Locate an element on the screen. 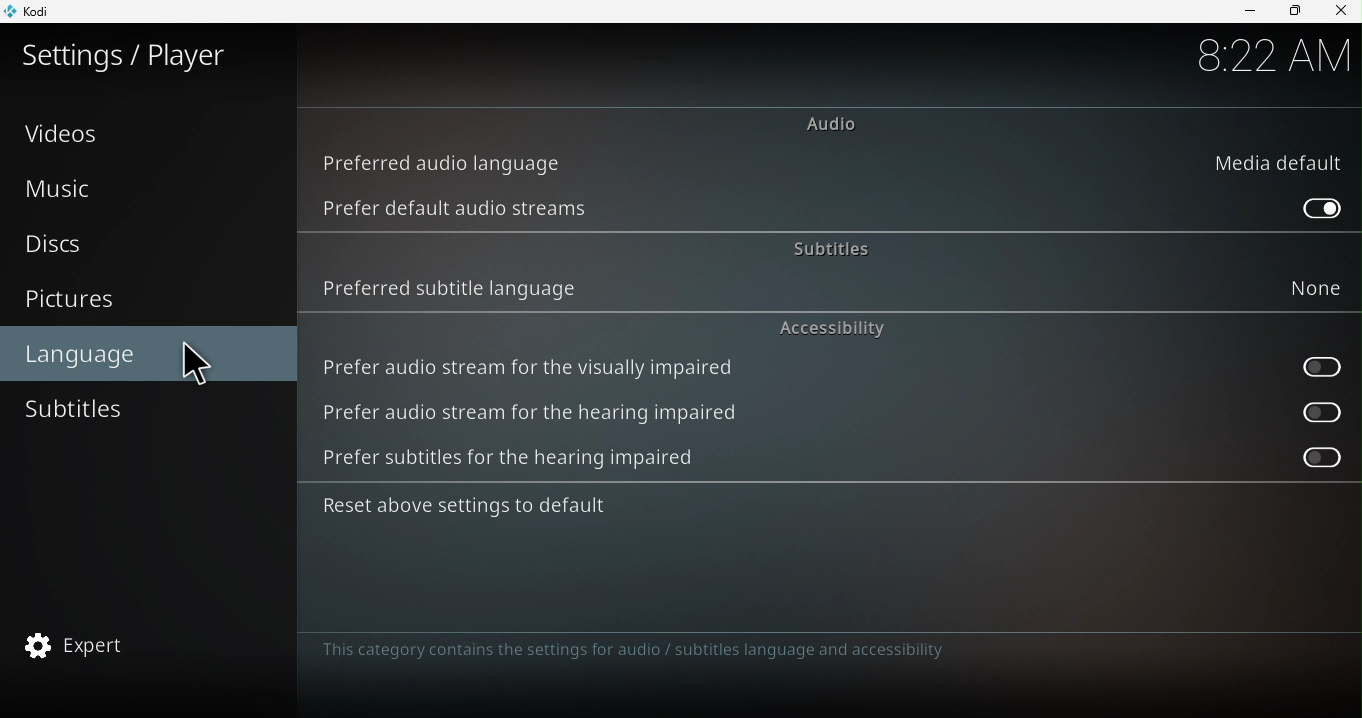 This screenshot has width=1362, height=718. 8:22 AM is located at coordinates (1271, 56).